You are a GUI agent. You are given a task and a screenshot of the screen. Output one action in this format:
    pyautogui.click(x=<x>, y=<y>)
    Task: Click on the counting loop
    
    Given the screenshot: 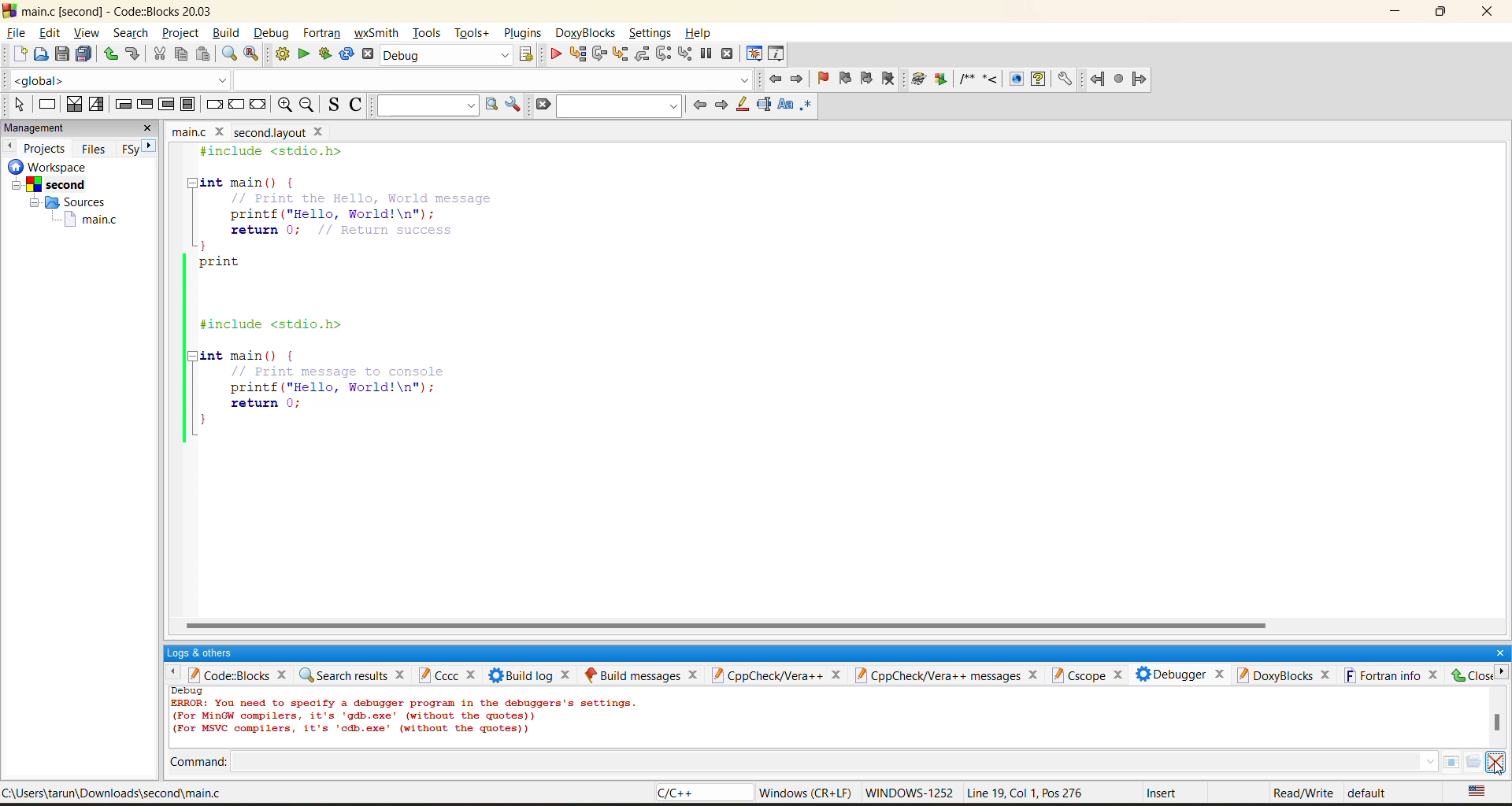 What is the action you would take?
    pyautogui.click(x=166, y=104)
    